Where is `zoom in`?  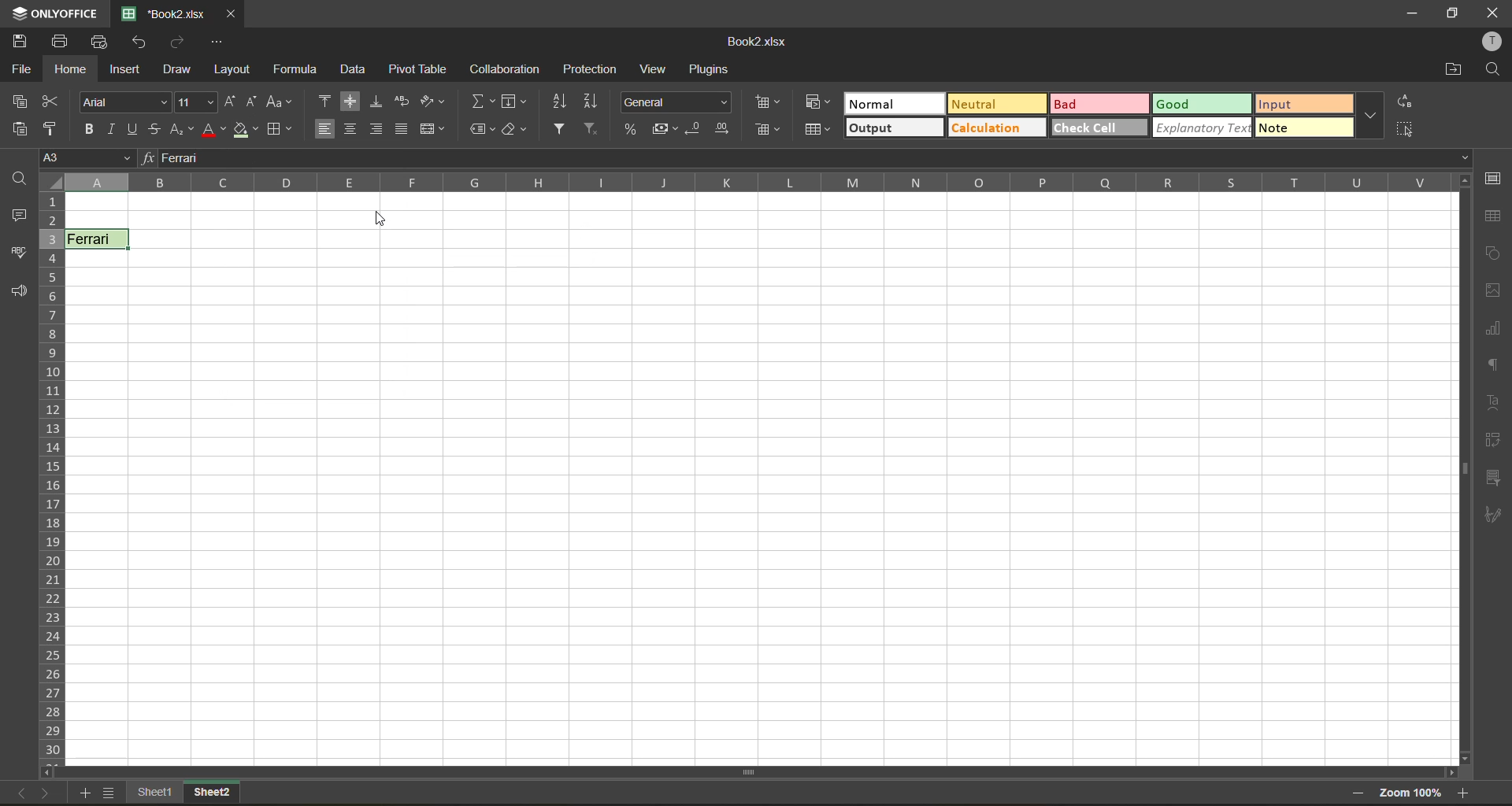
zoom in is located at coordinates (1464, 792).